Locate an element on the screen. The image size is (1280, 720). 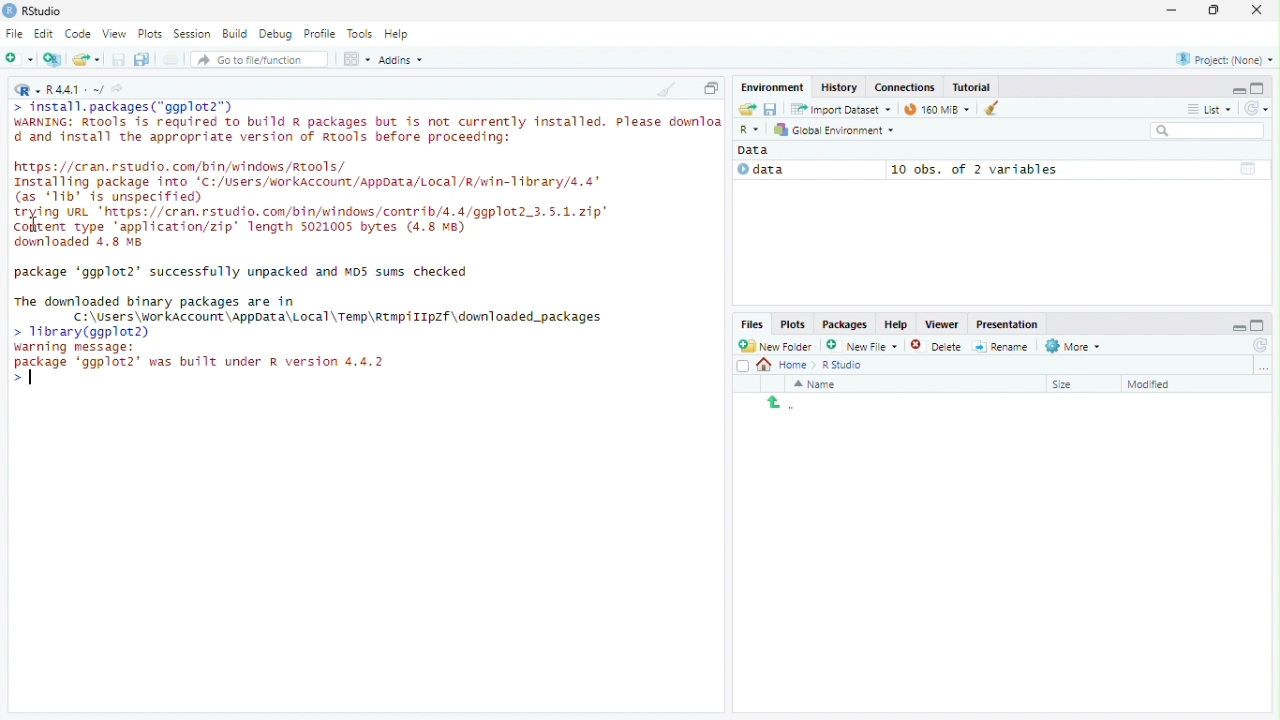
Go to file/function is located at coordinates (260, 59).